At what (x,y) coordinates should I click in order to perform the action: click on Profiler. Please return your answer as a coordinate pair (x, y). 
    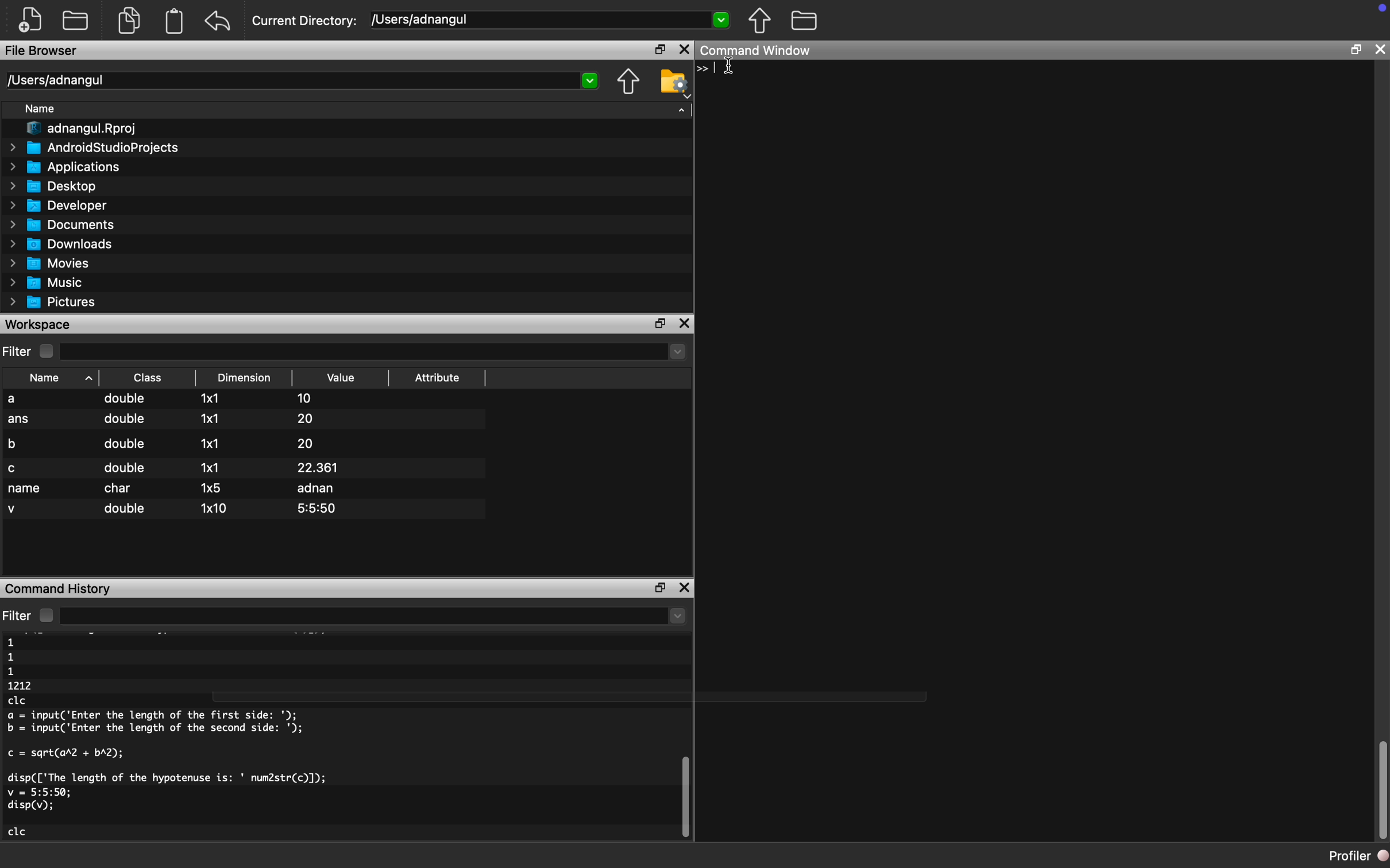
    Looking at the image, I should click on (1357, 857).